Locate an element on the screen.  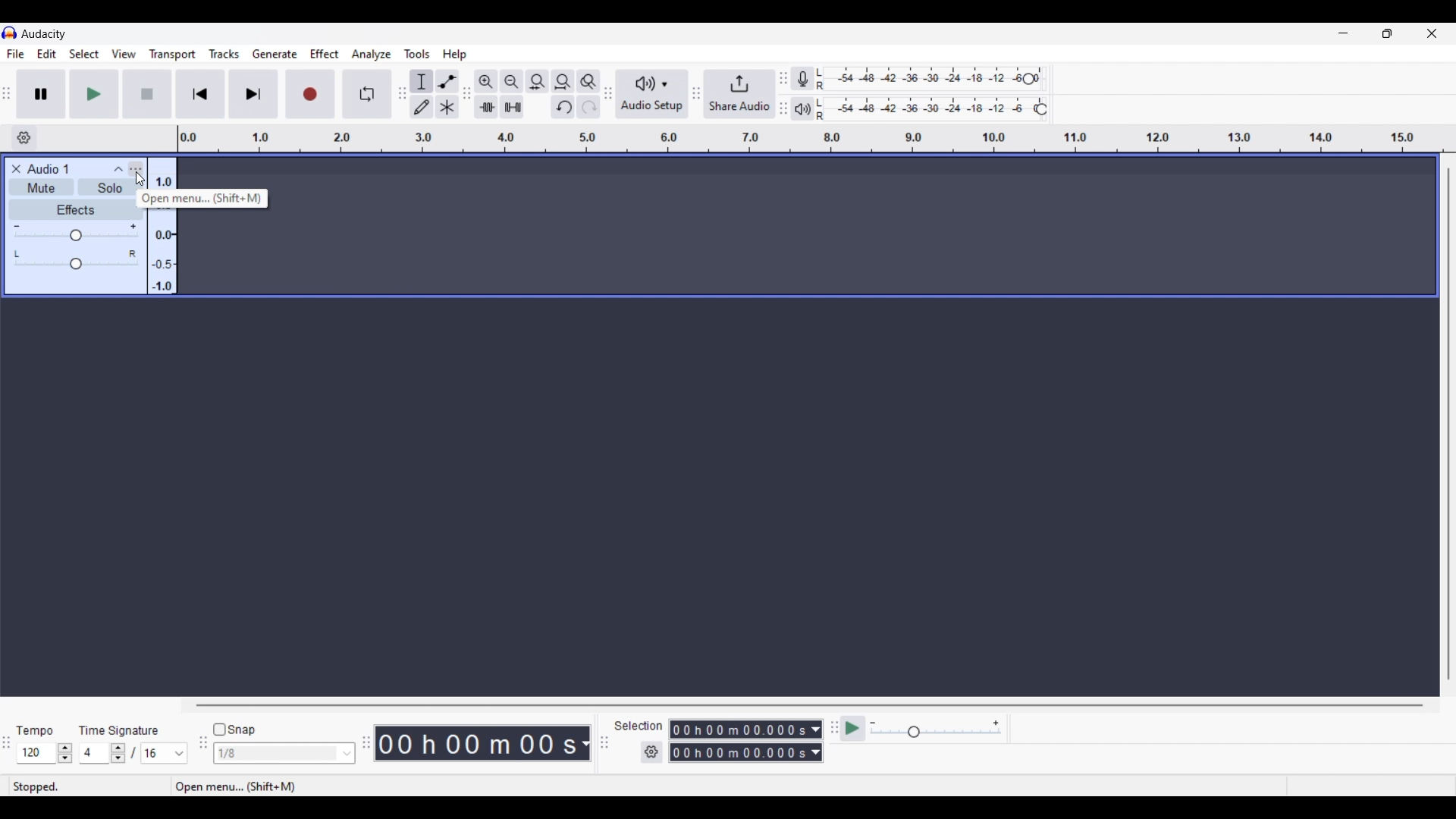
Recording level is located at coordinates (928, 80).